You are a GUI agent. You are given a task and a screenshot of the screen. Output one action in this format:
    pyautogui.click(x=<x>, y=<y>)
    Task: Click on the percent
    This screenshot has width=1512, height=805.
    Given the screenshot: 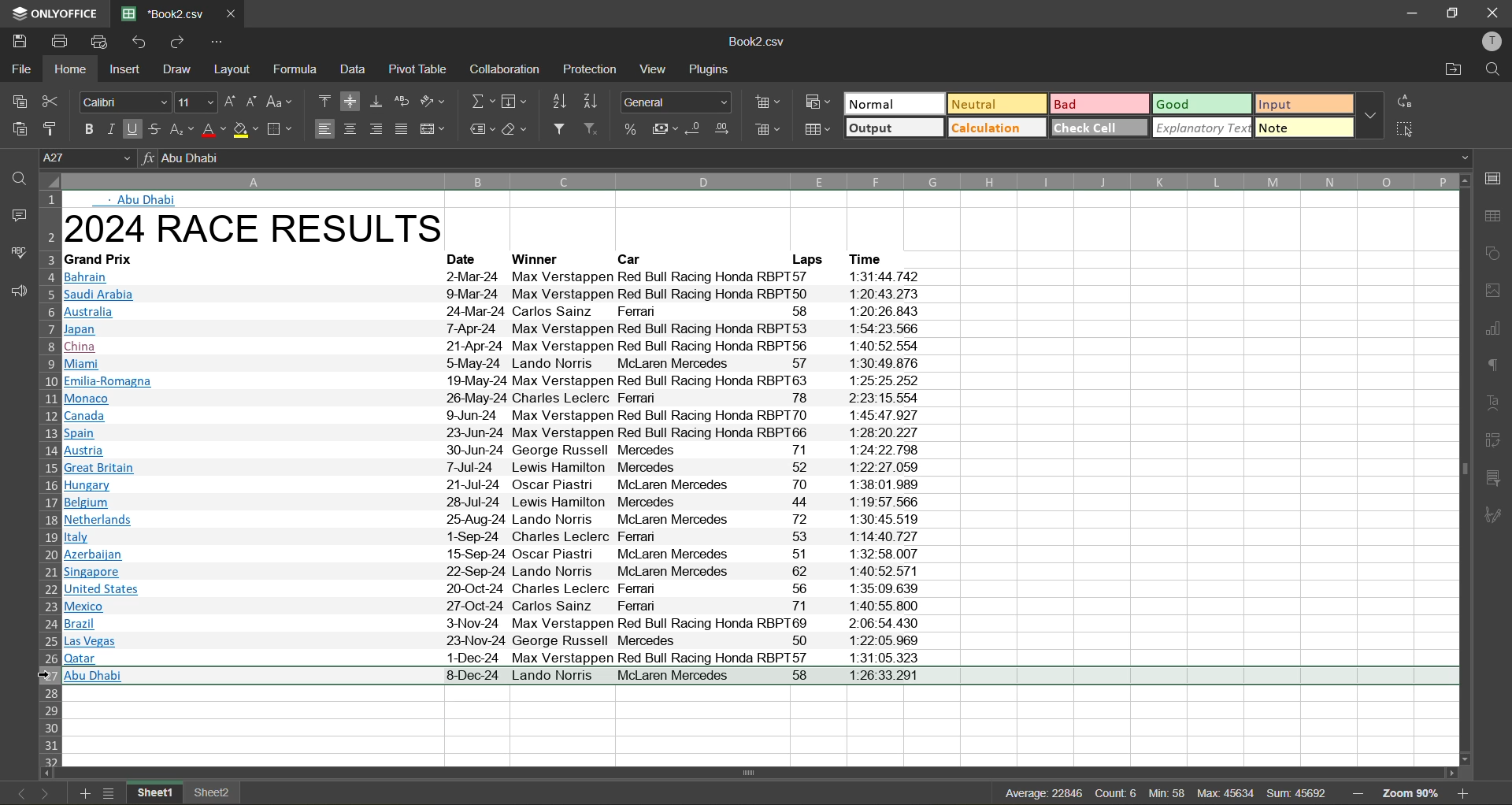 What is the action you would take?
    pyautogui.click(x=632, y=129)
    